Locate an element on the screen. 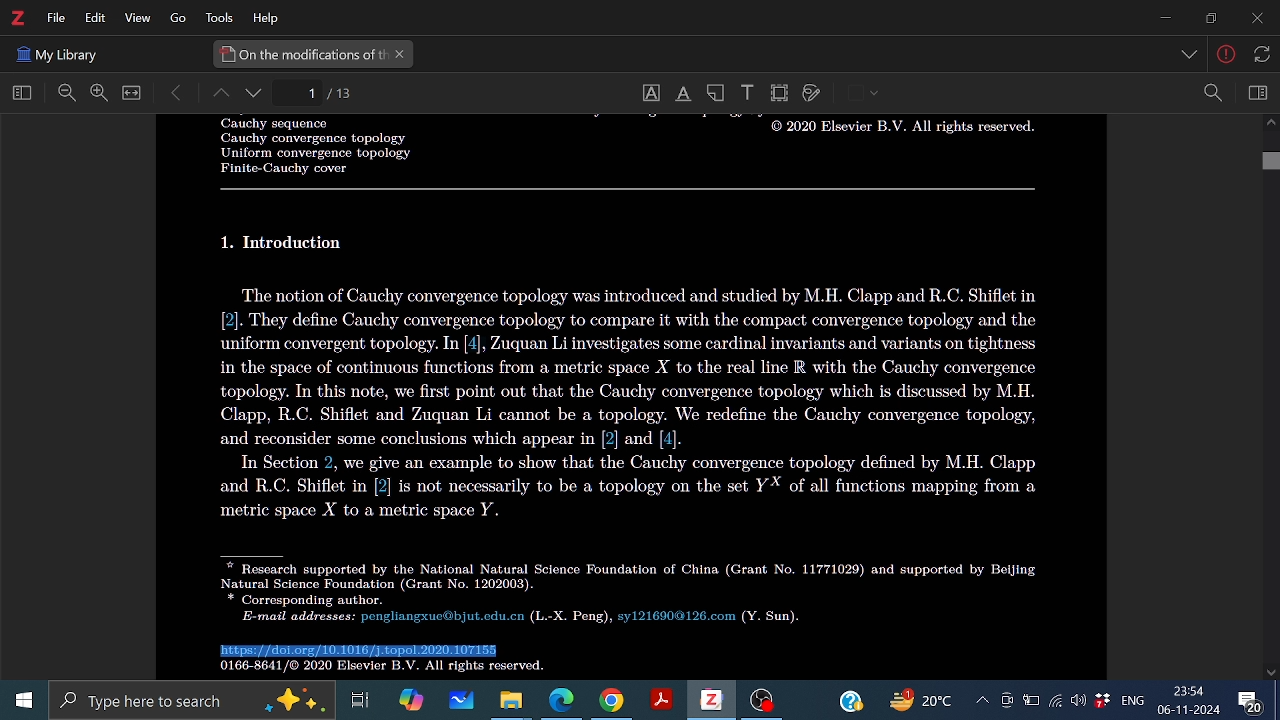  Current page is located at coordinates (342, 93).